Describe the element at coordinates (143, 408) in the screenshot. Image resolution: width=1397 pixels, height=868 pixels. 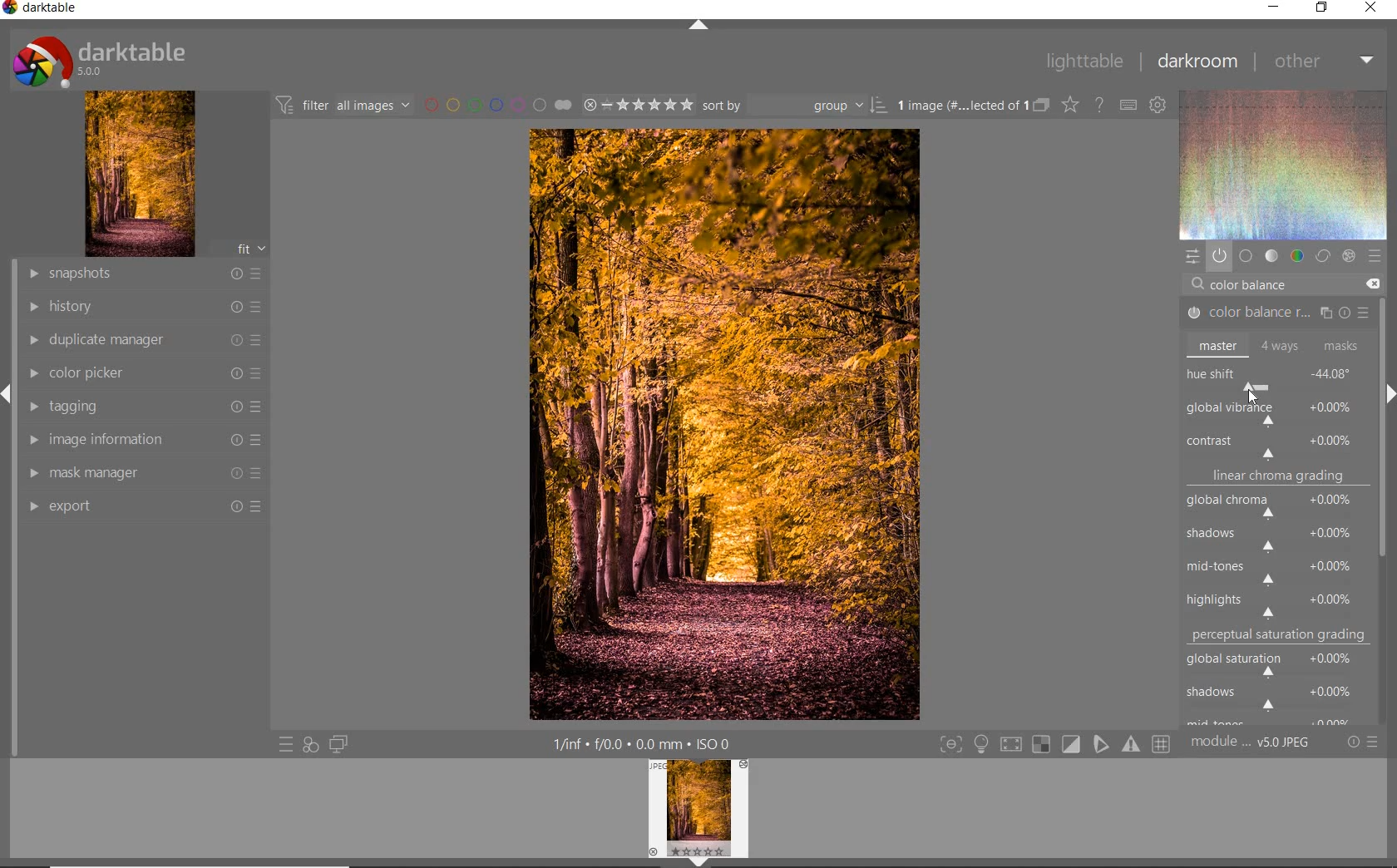
I see `tagging` at that location.